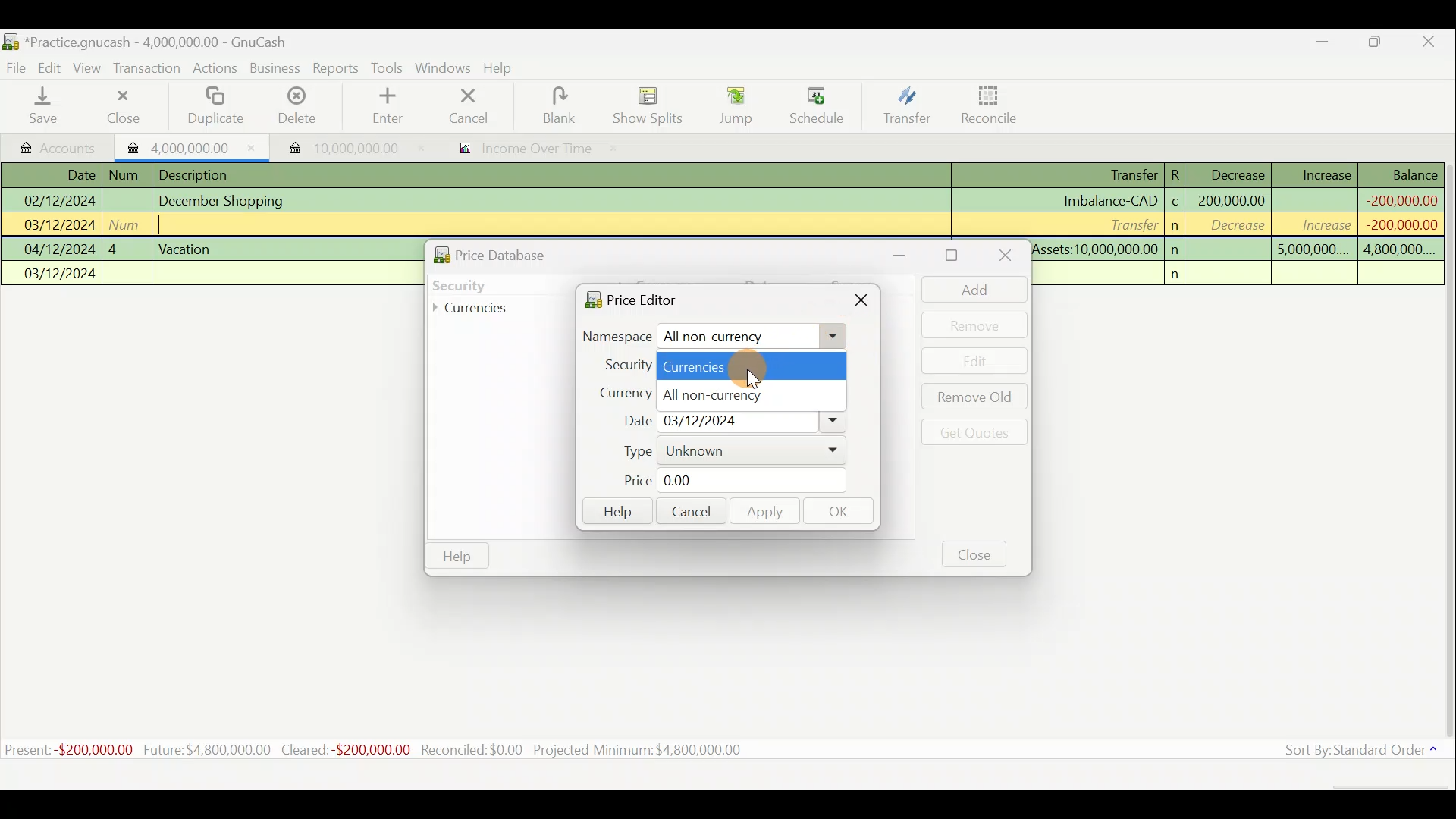 This screenshot has height=819, width=1456. What do you see at coordinates (954, 256) in the screenshot?
I see `Maximise` at bounding box center [954, 256].